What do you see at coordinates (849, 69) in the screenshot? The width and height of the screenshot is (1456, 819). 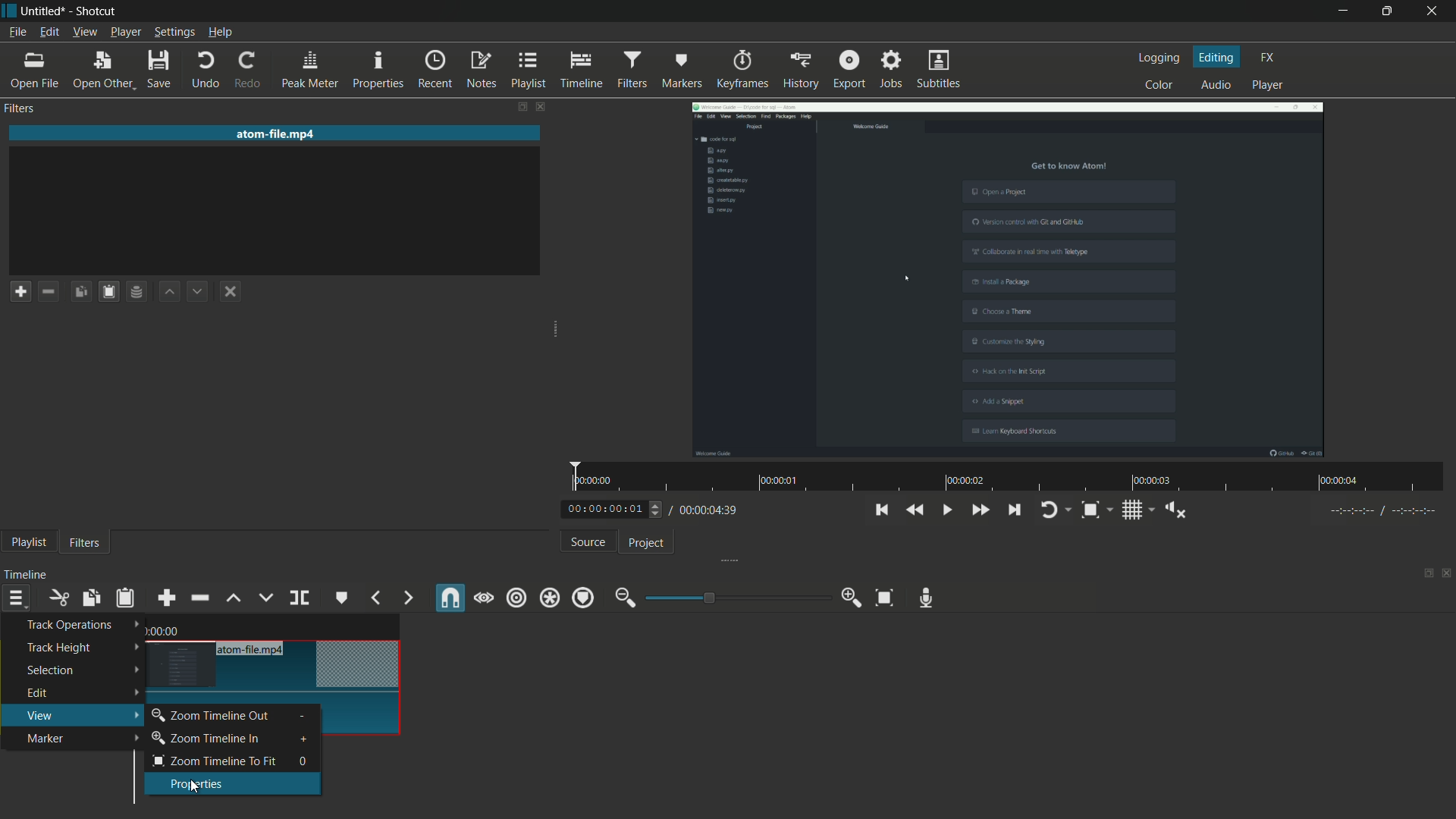 I see `export` at bounding box center [849, 69].